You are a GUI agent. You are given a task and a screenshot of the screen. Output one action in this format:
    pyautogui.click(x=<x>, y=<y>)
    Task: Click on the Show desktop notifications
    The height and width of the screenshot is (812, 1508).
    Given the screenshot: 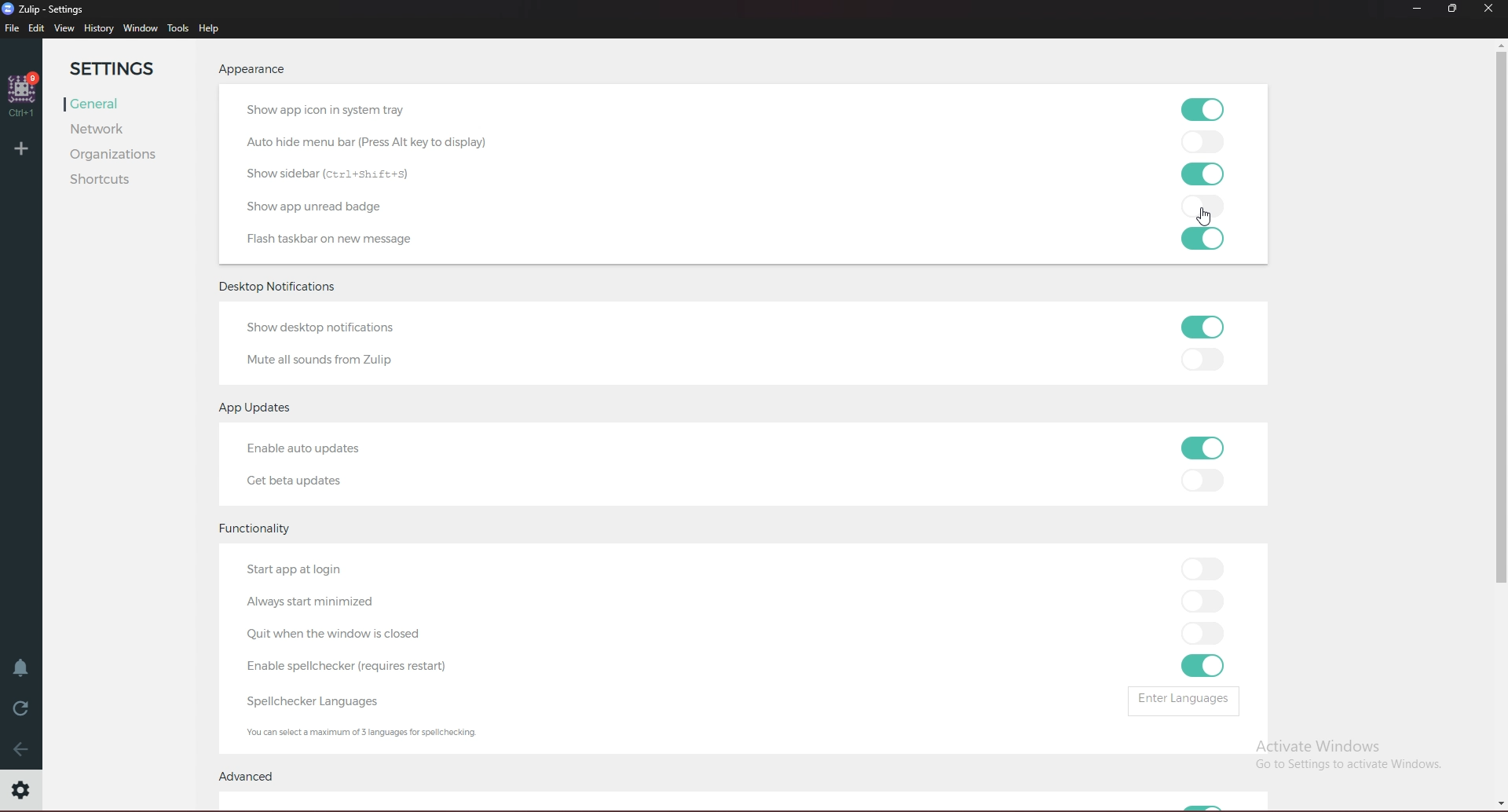 What is the action you would take?
    pyautogui.click(x=324, y=328)
    